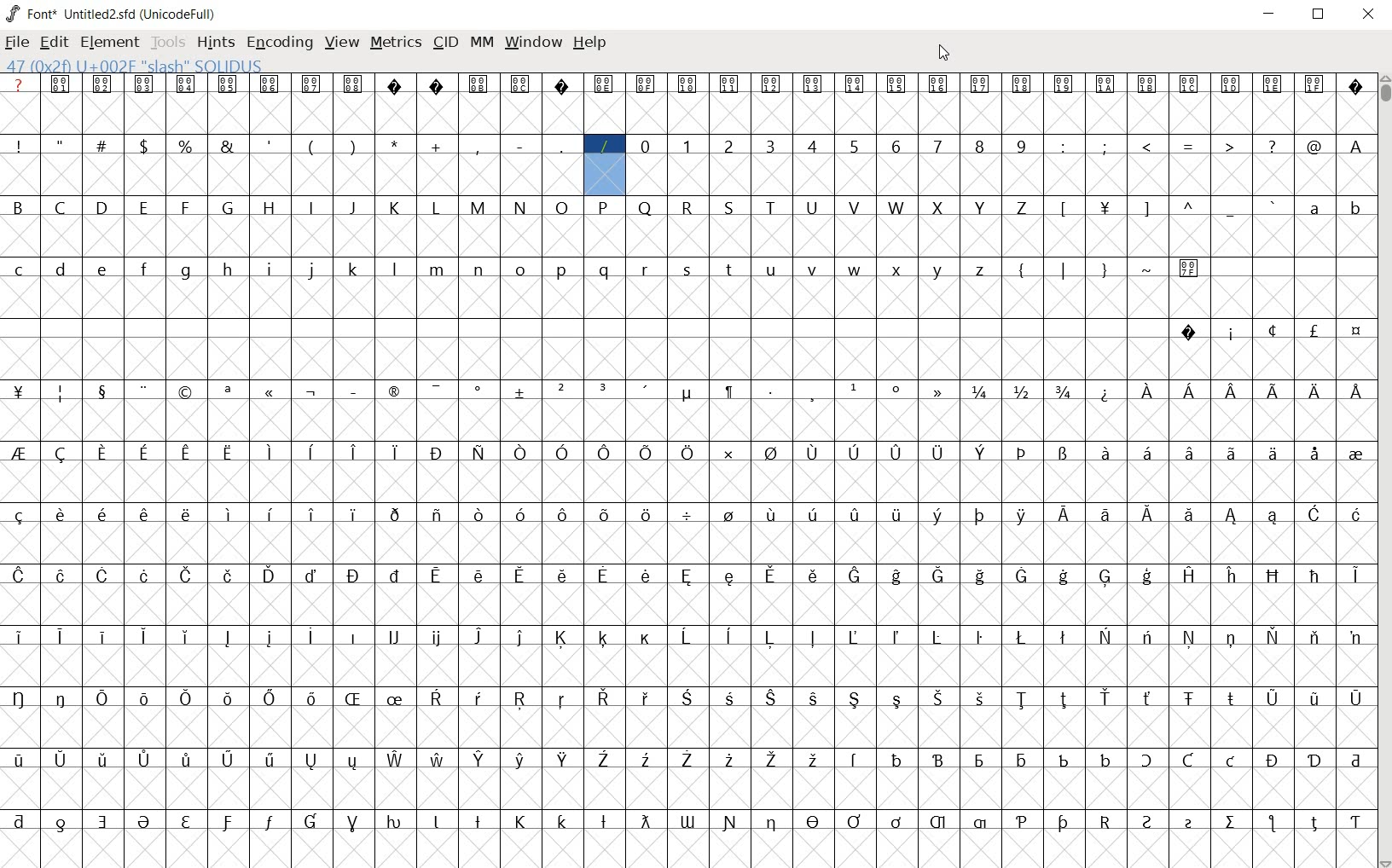 Image resolution: width=1392 pixels, height=868 pixels. I want to click on glyph, so click(604, 575).